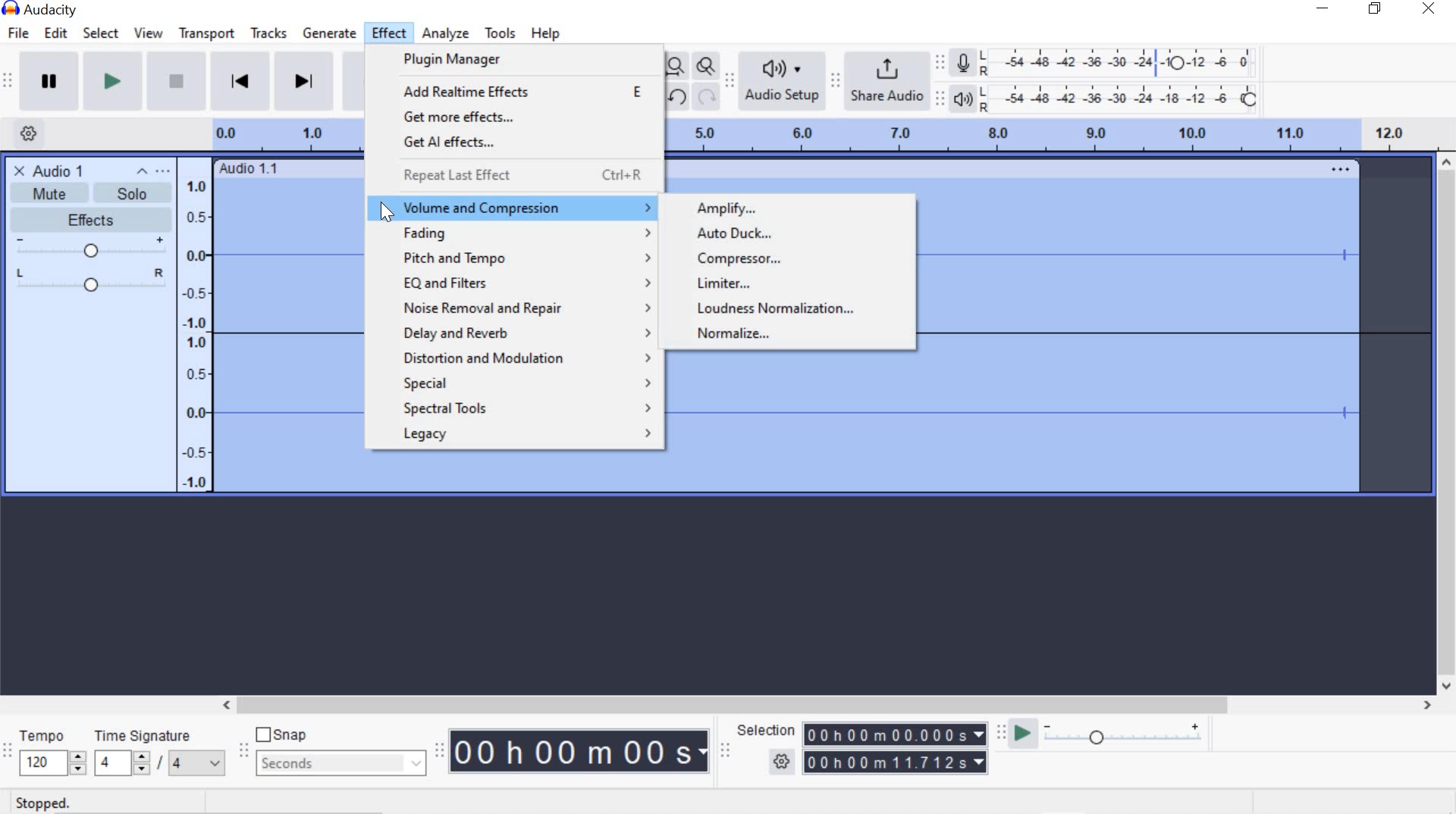  What do you see at coordinates (17, 170) in the screenshot?
I see `CLOSE` at bounding box center [17, 170].